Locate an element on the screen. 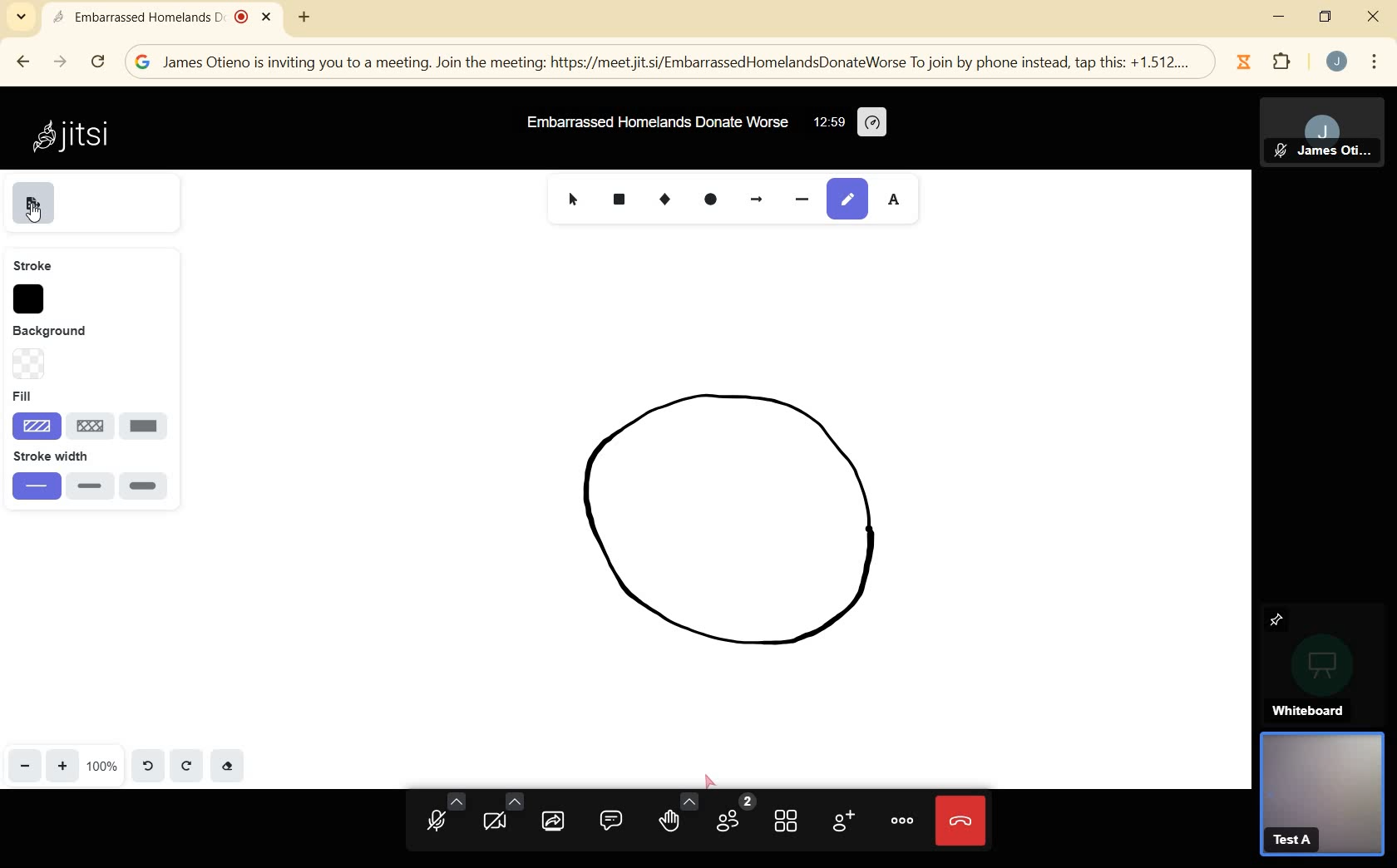 The image size is (1397, 868). invite people is located at coordinates (844, 823).